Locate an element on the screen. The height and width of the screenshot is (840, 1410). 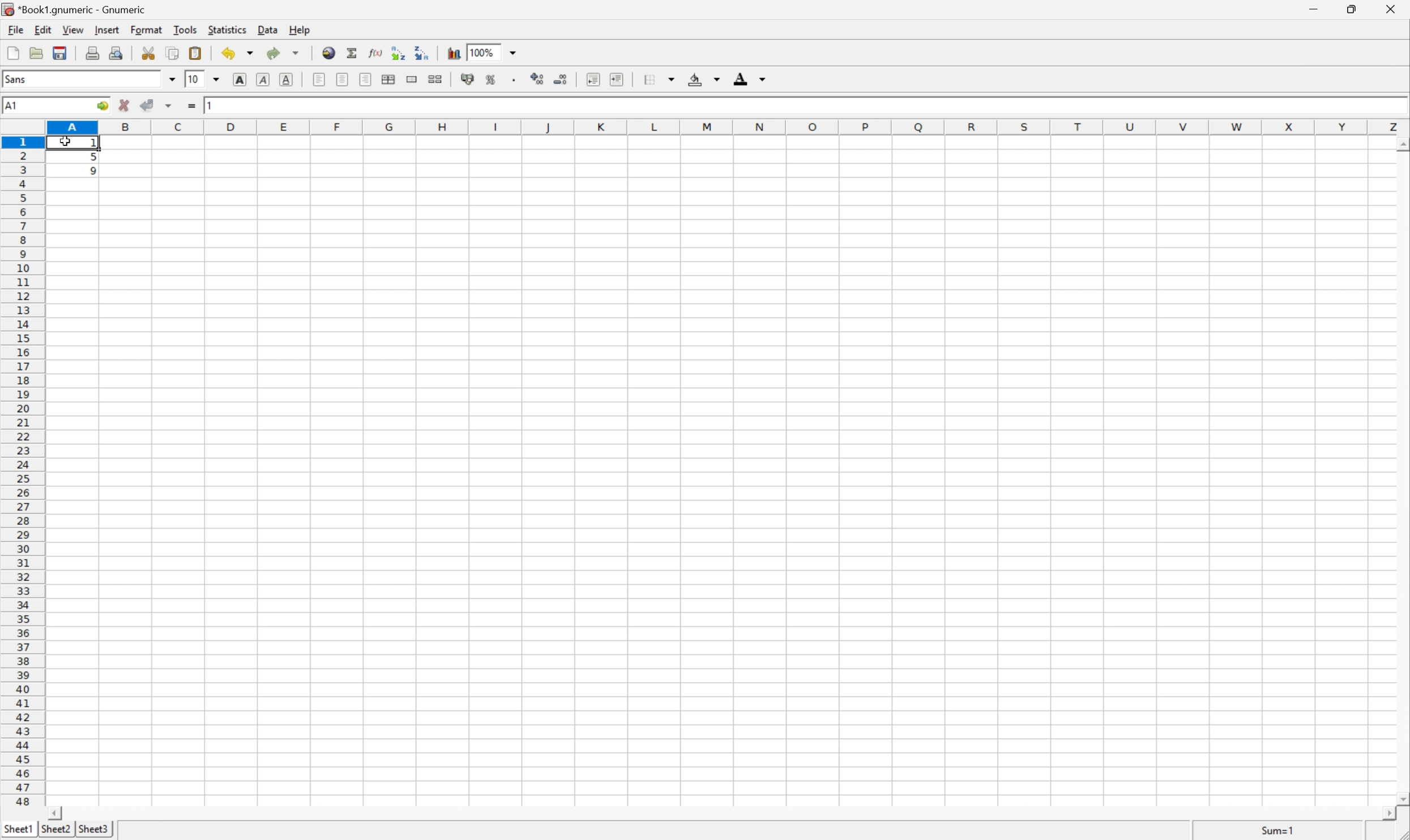
drop down is located at coordinates (220, 79).